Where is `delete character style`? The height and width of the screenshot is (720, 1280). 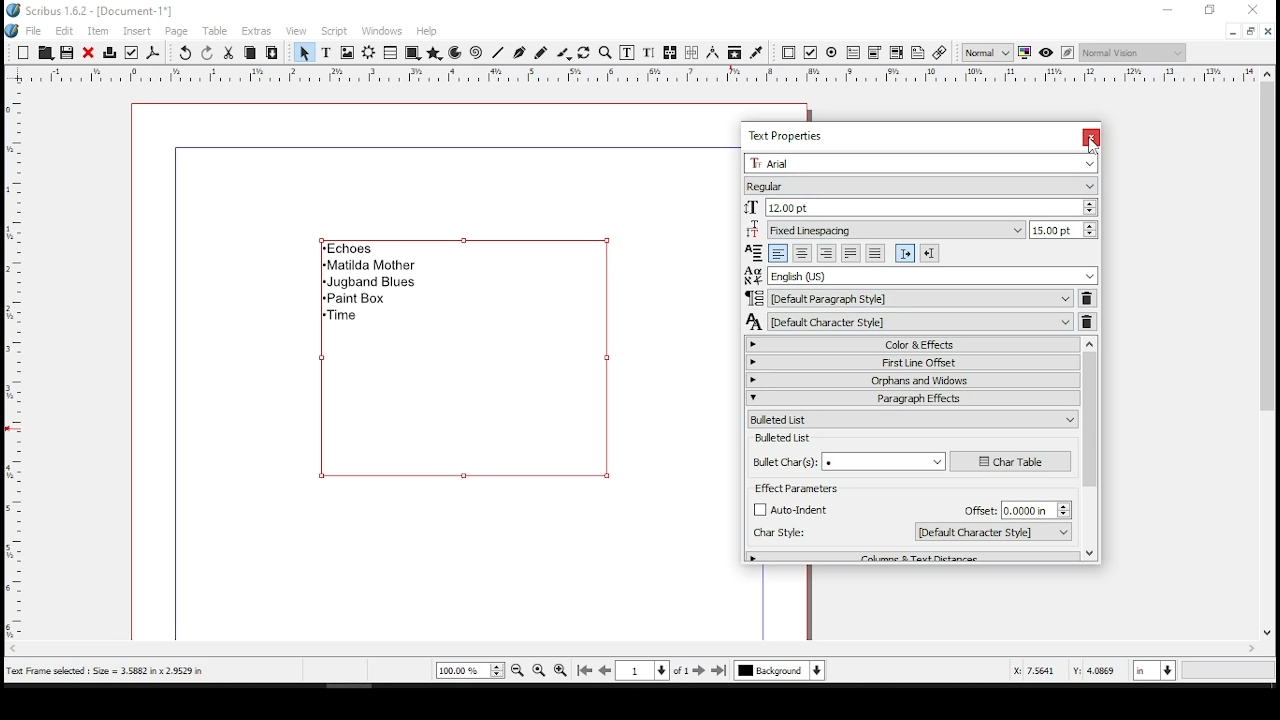 delete character style is located at coordinates (1087, 321).